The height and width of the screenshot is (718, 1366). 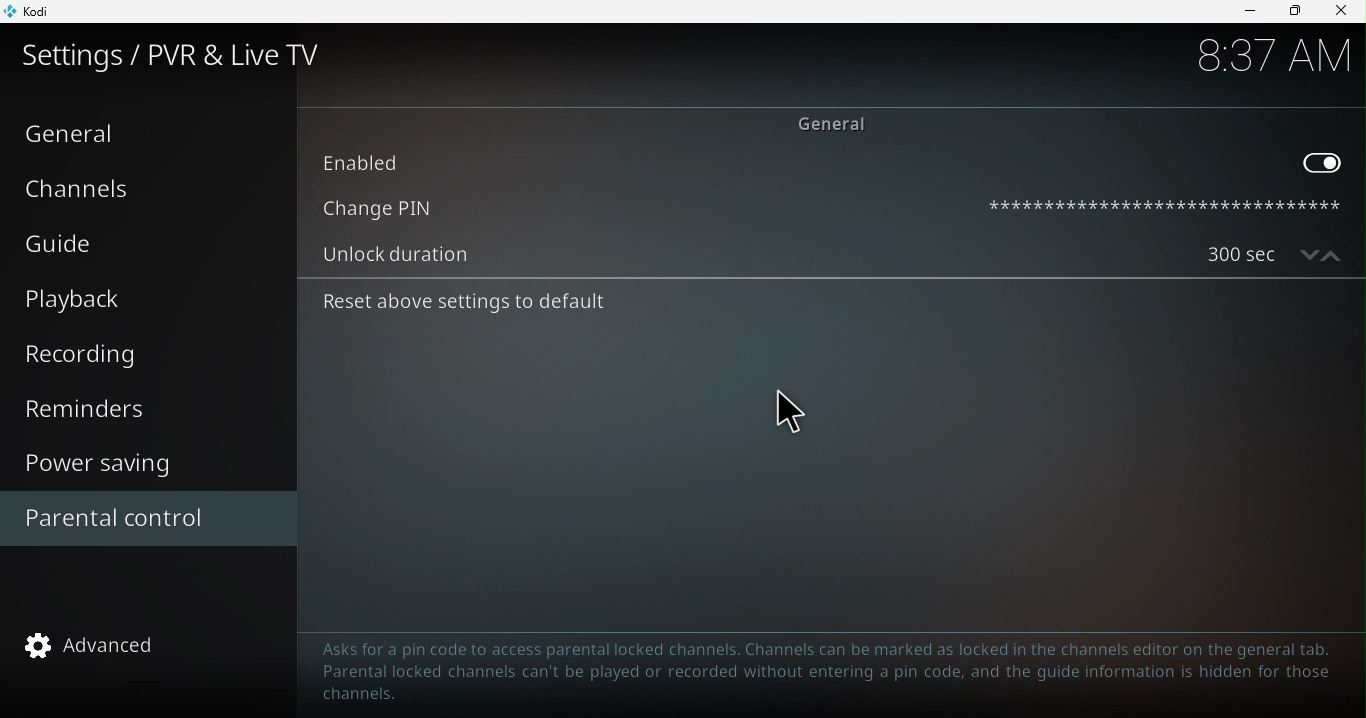 I want to click on Parental control, so click(x=142, y=517).